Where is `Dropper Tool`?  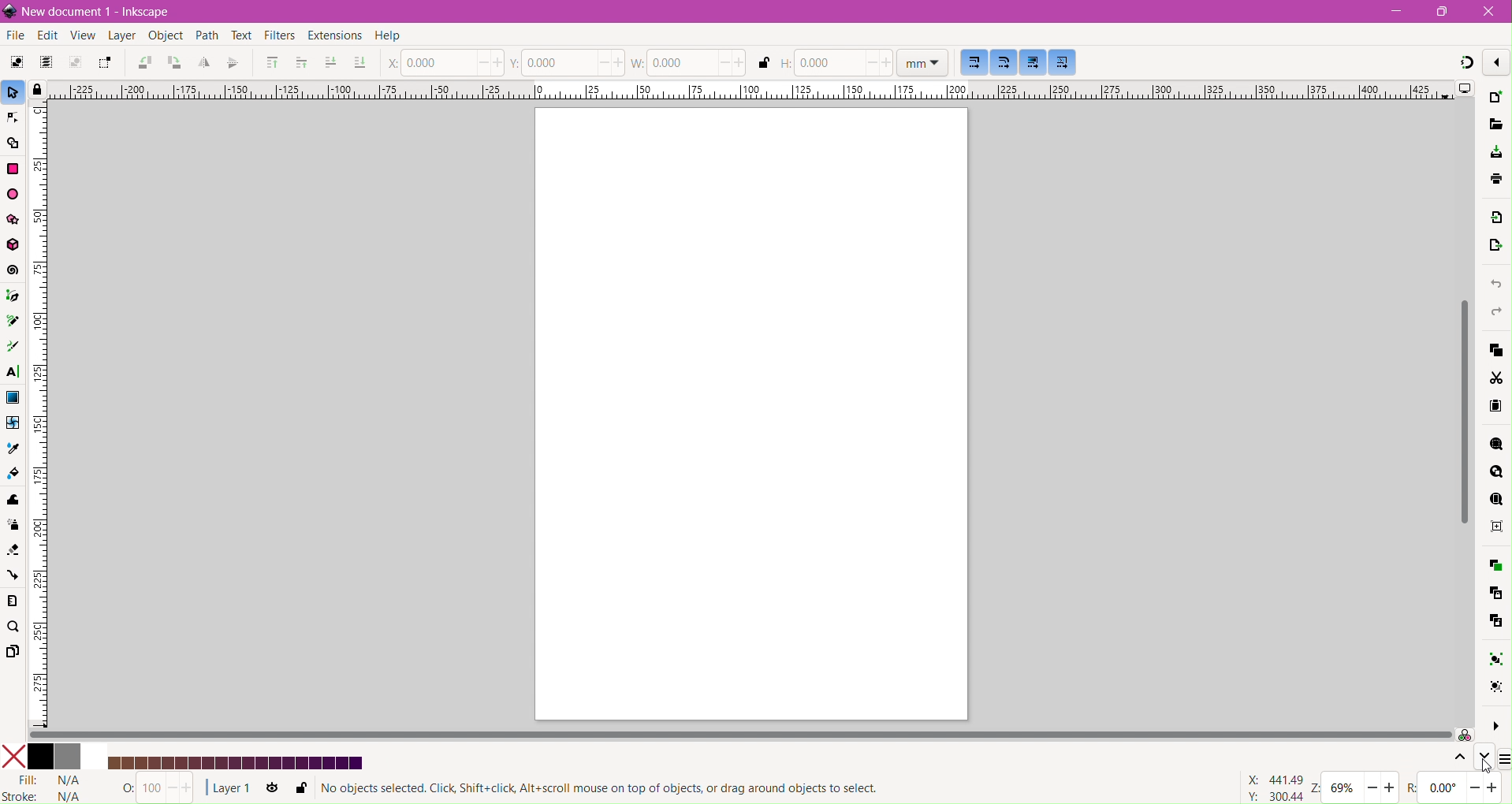
Dropper Tool is located at coordinates (12, 448).